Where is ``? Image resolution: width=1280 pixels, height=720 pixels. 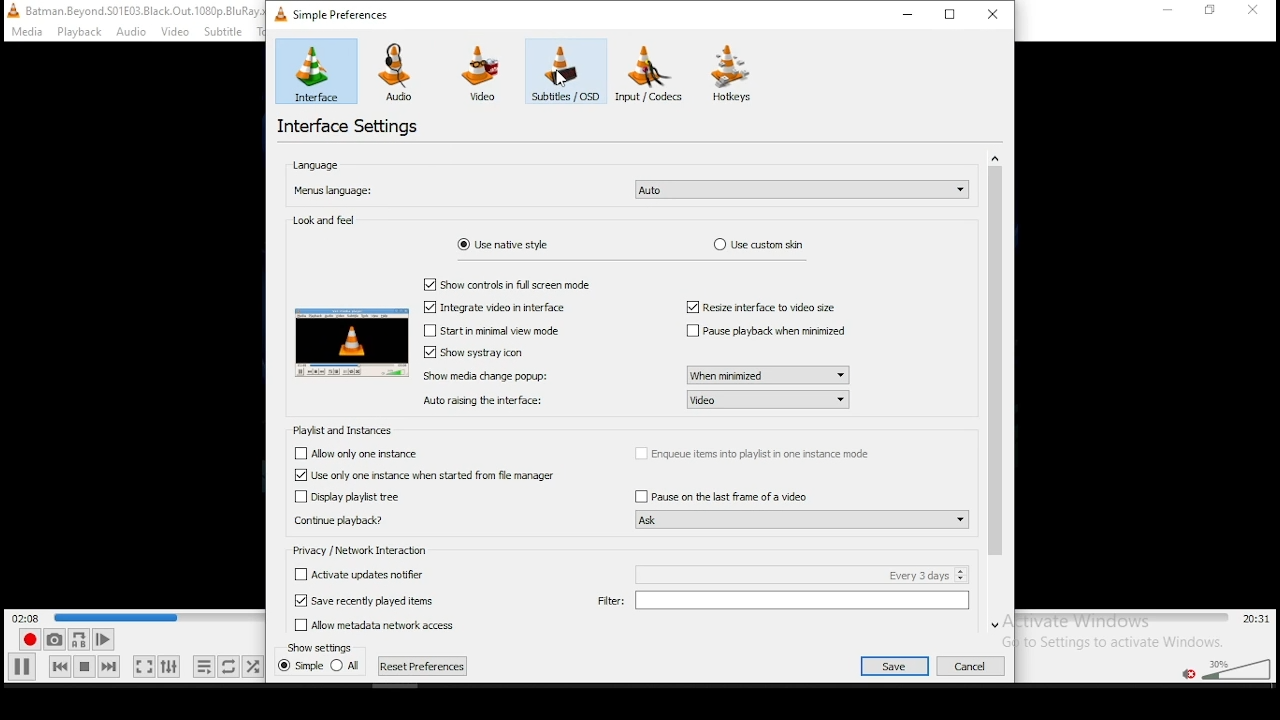
 is located at coordinates (769, 373).